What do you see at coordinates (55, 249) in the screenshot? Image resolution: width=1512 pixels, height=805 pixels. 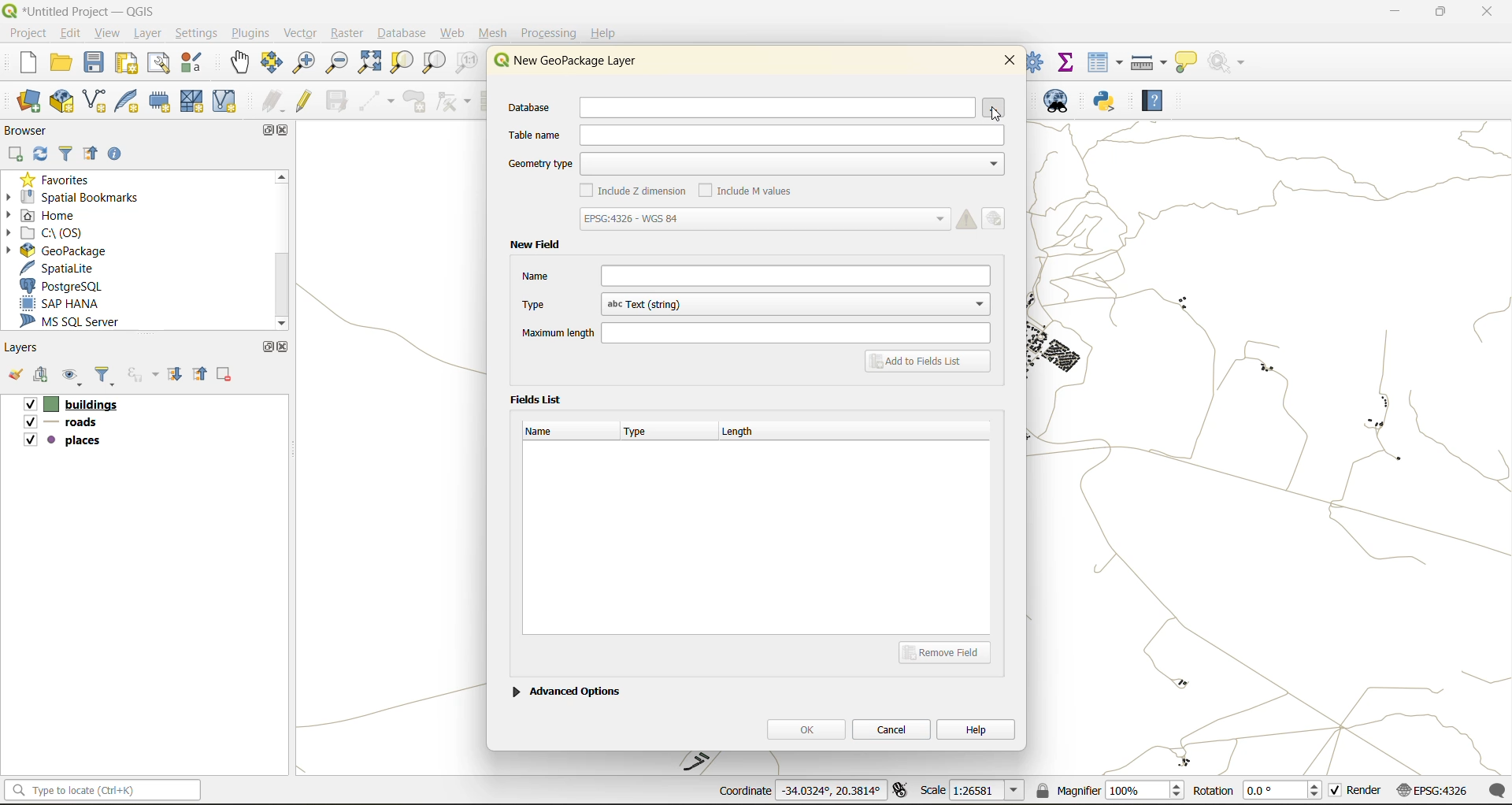 I see `geopackage` at bounding box center [55, 249].